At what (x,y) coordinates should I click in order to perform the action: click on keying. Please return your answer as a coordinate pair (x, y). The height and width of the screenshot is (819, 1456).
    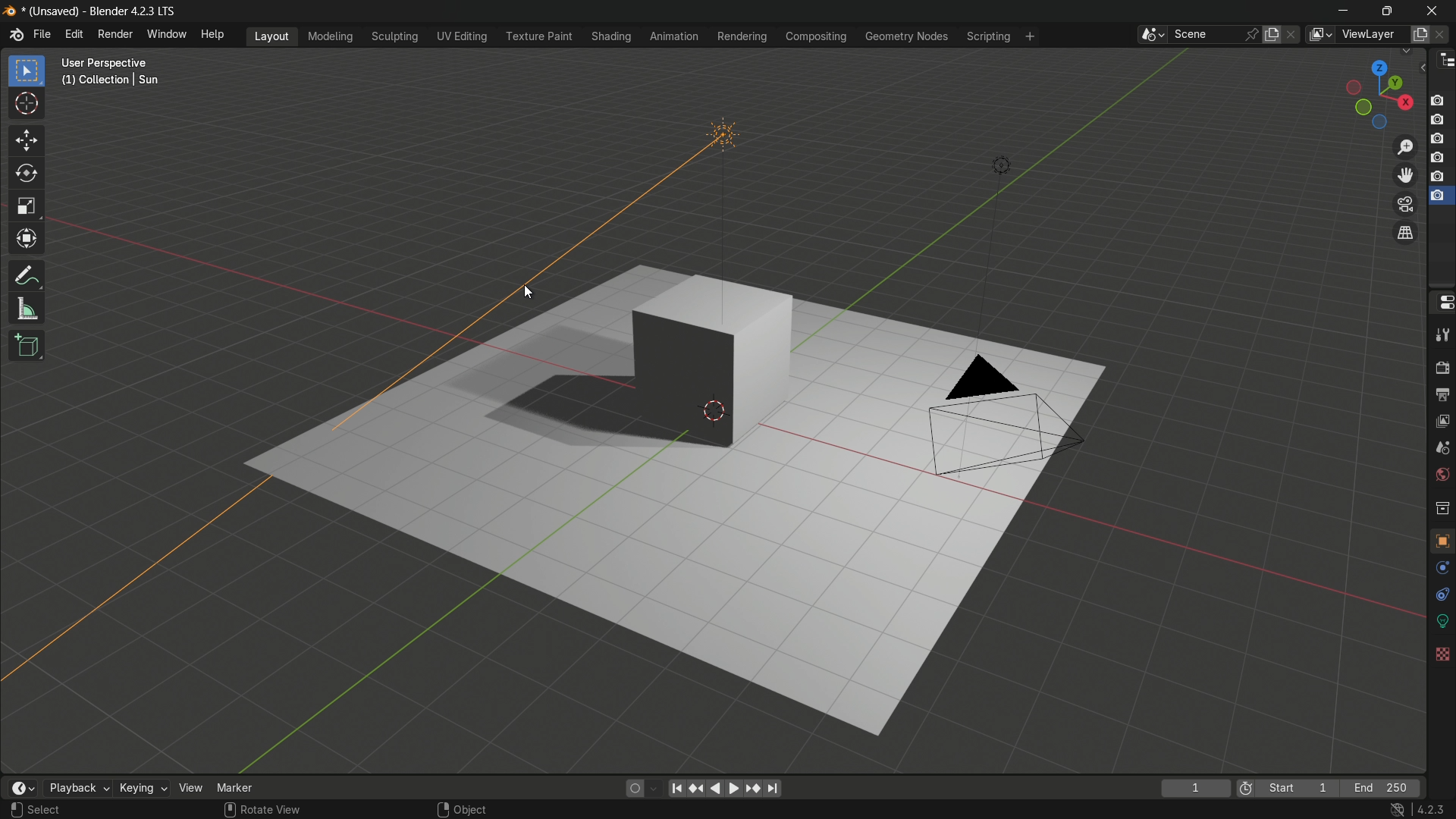
    Looking at the image, I should click on (139, 787).